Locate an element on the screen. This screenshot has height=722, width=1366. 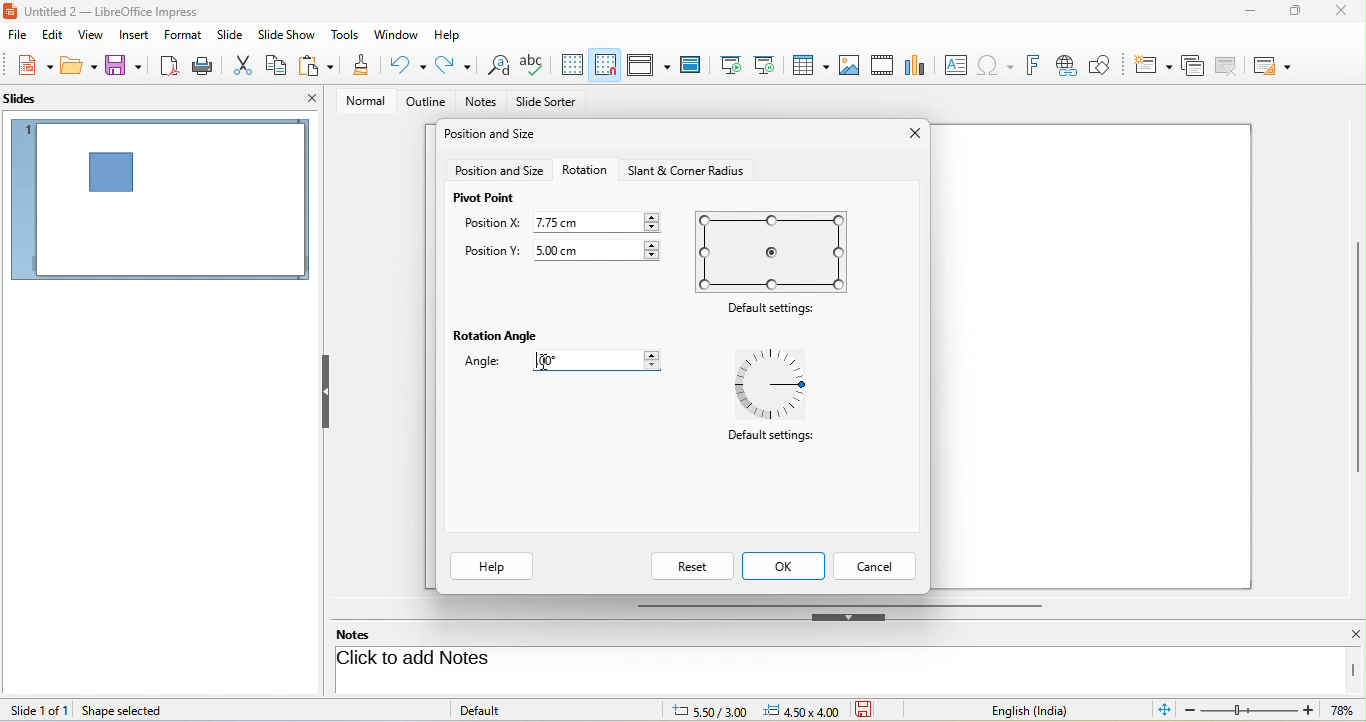
7.75 cm is located at coordinates (599, 221).